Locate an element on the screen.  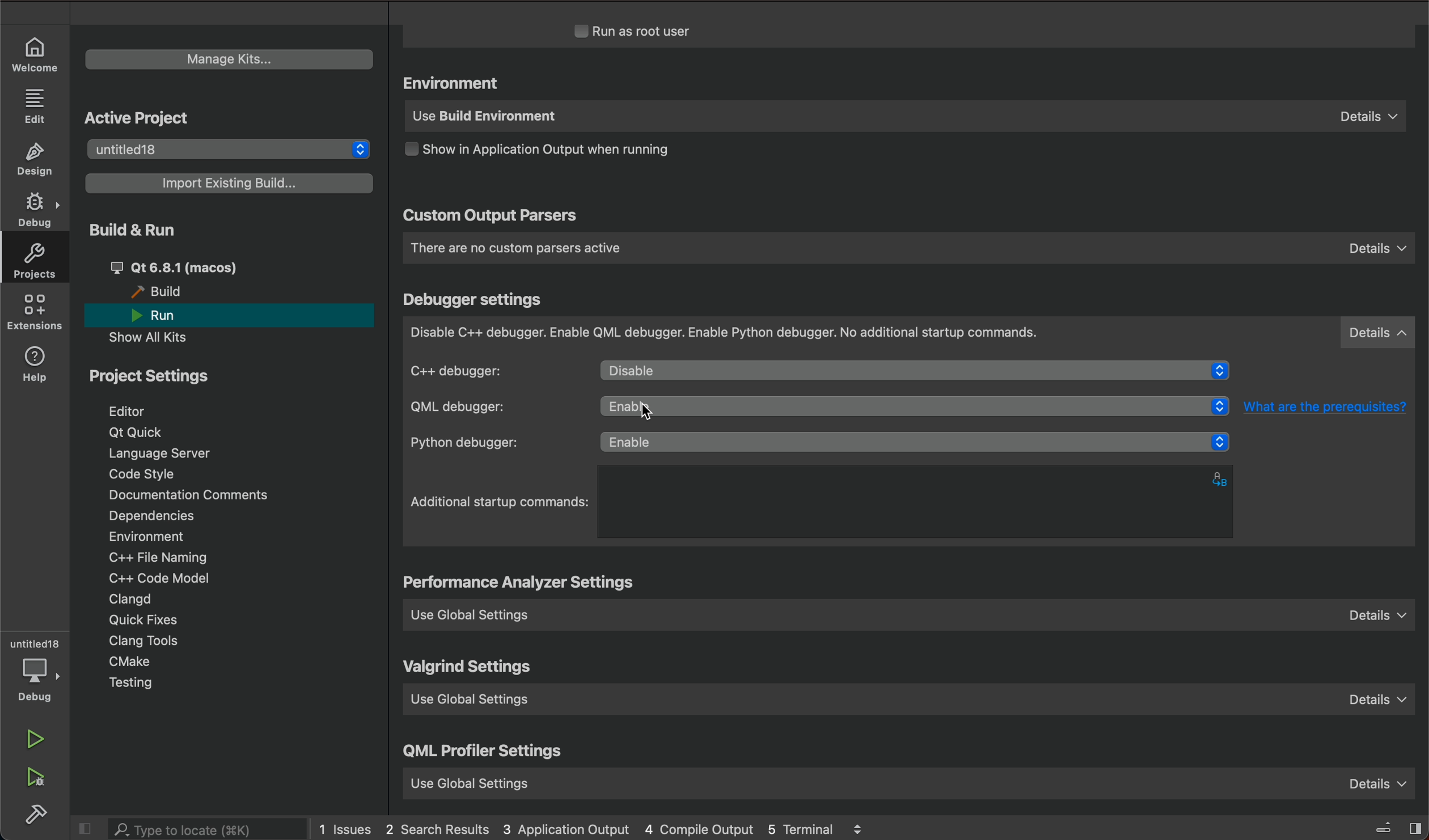
testing is located at coordinates (133, 683).